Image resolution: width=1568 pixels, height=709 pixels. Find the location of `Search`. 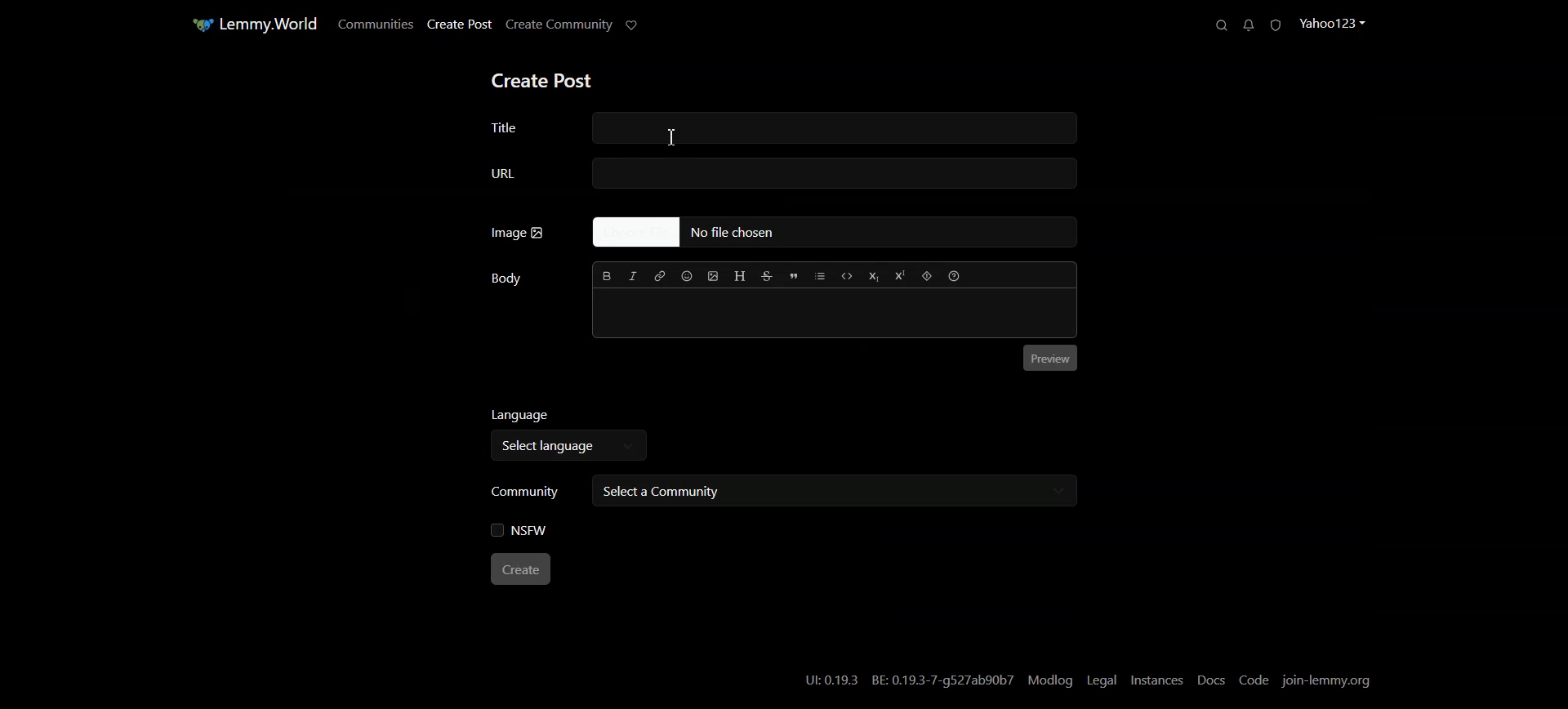

Search is located at coordinates (1217, 25).